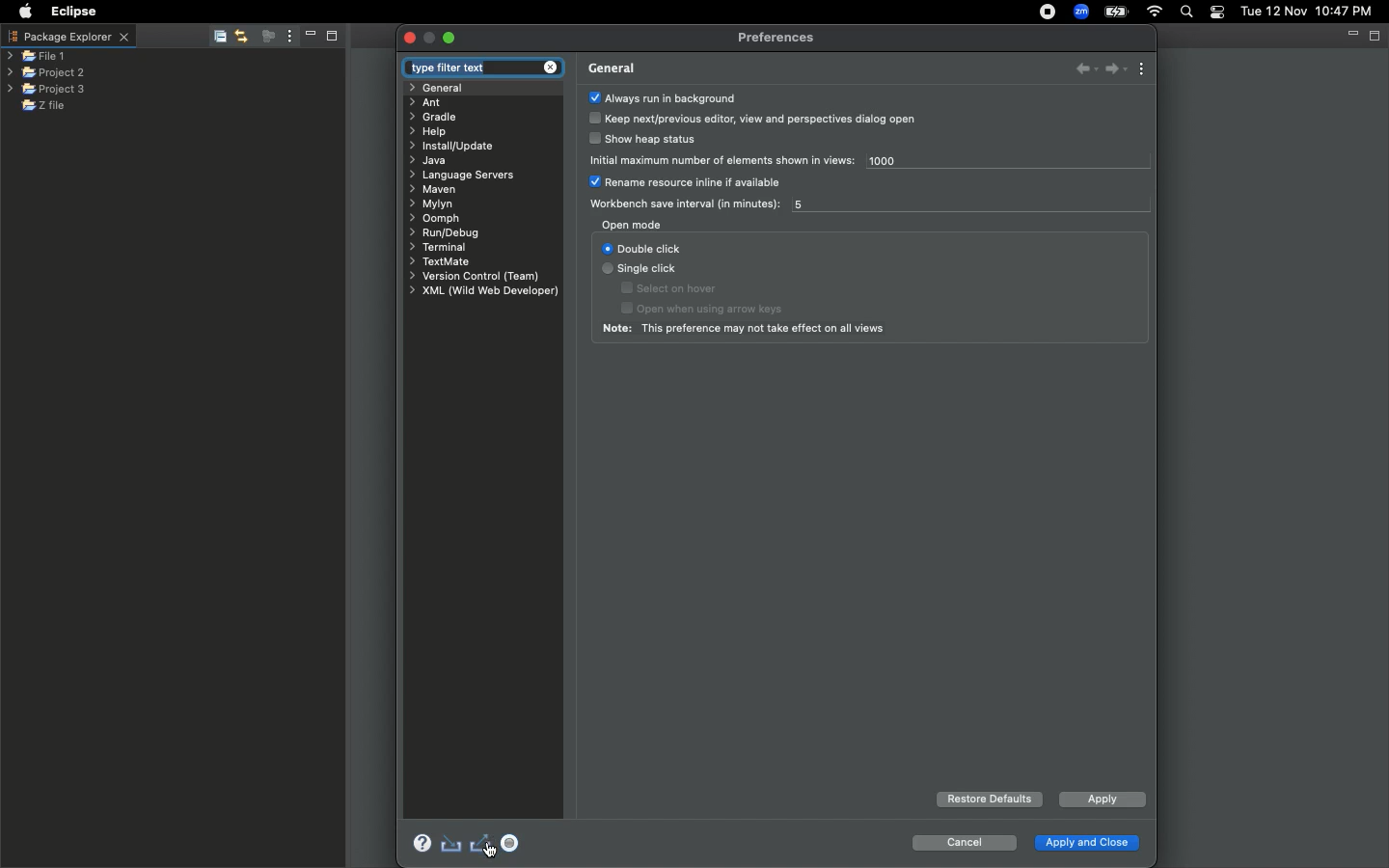 This screenshot has width=1389, height=868. Describe the element at coordinates (1349, 34) in the screenshot. I see `Minimize` at that location.